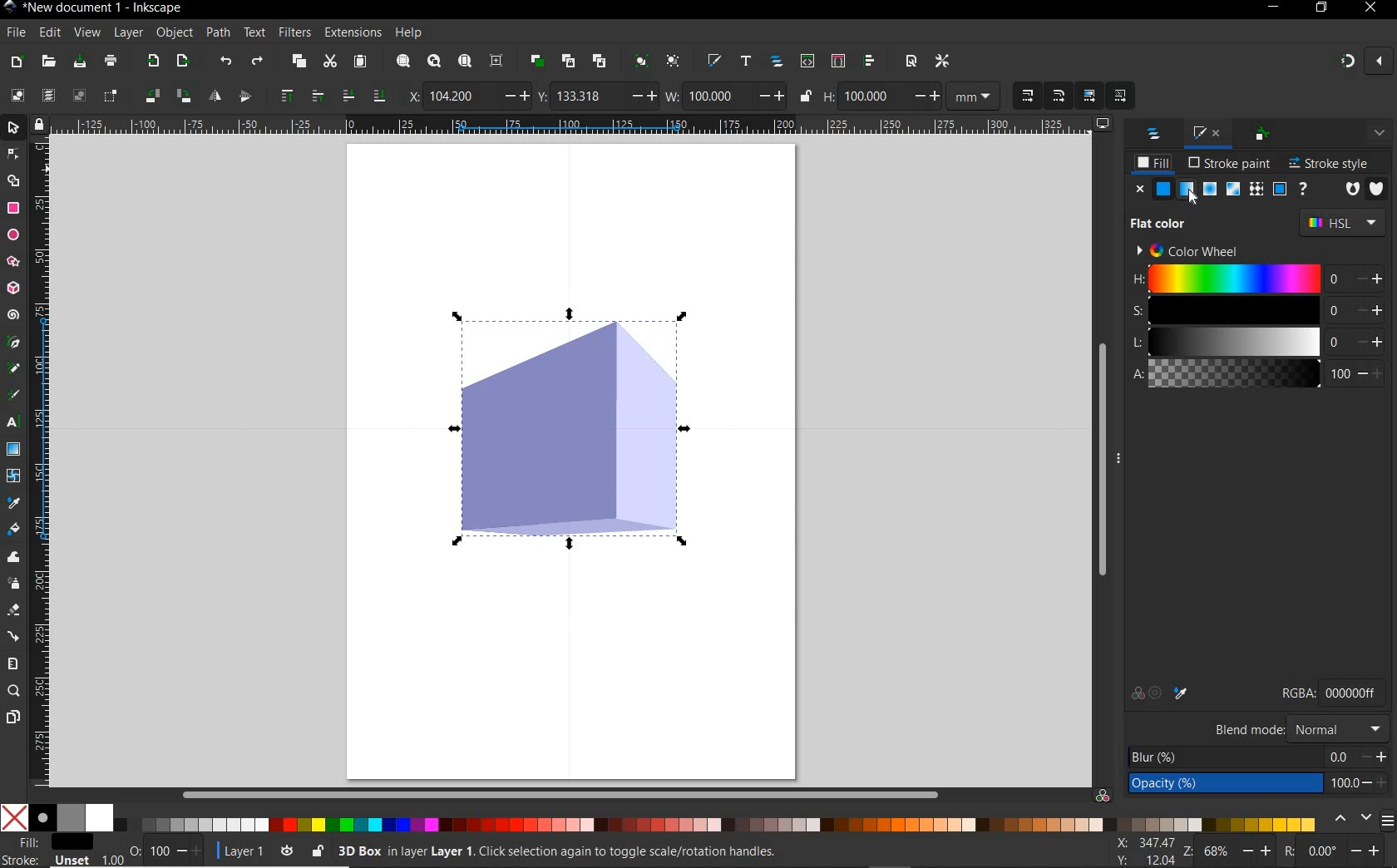  I want to click on increase/decrease, so click(1376, 769).